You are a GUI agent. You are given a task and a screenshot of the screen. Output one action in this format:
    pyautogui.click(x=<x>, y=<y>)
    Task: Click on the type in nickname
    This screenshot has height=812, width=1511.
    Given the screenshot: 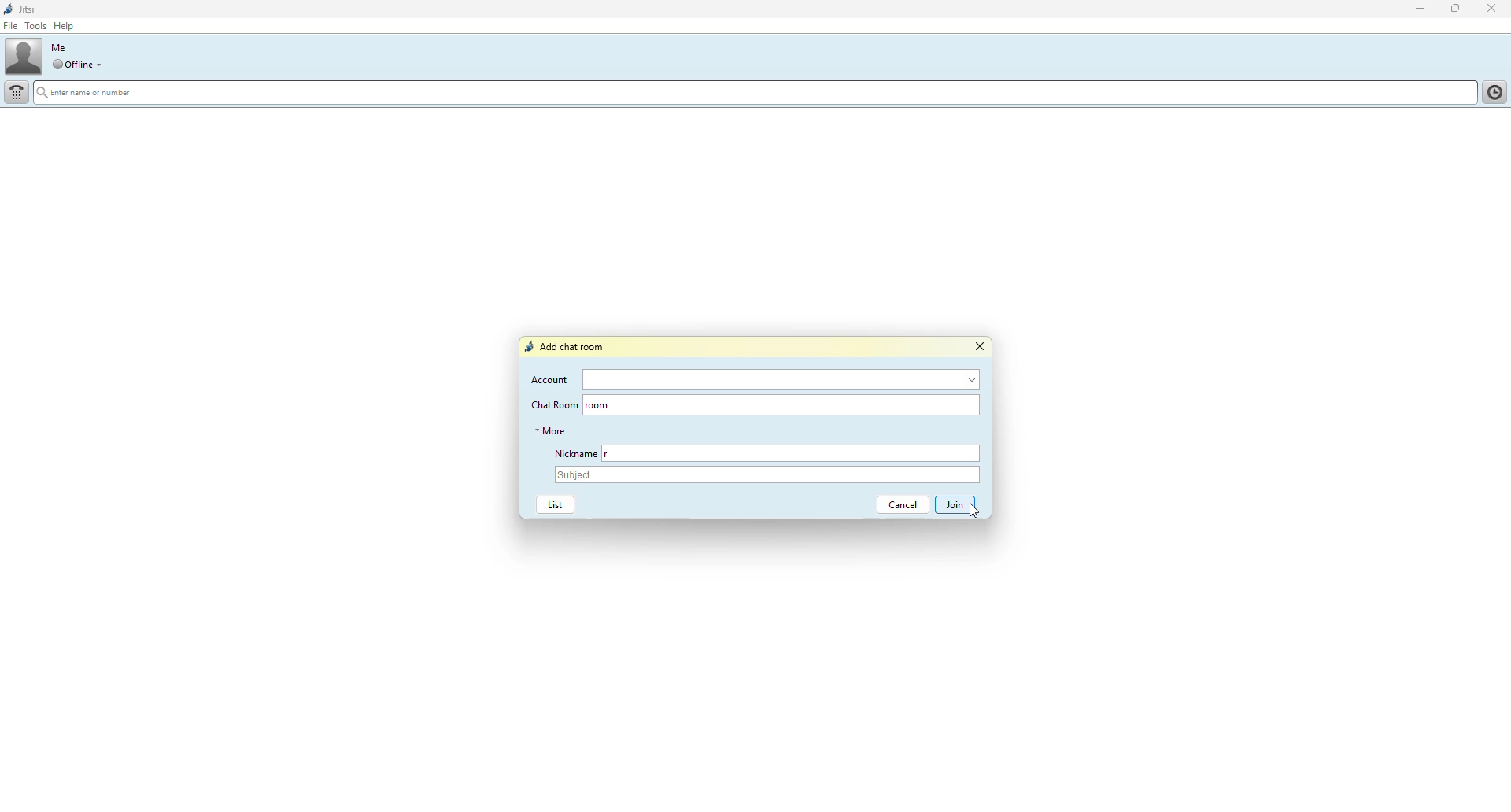 What is the action you would take?
    pyautogui.click(x=806, y=454)
    